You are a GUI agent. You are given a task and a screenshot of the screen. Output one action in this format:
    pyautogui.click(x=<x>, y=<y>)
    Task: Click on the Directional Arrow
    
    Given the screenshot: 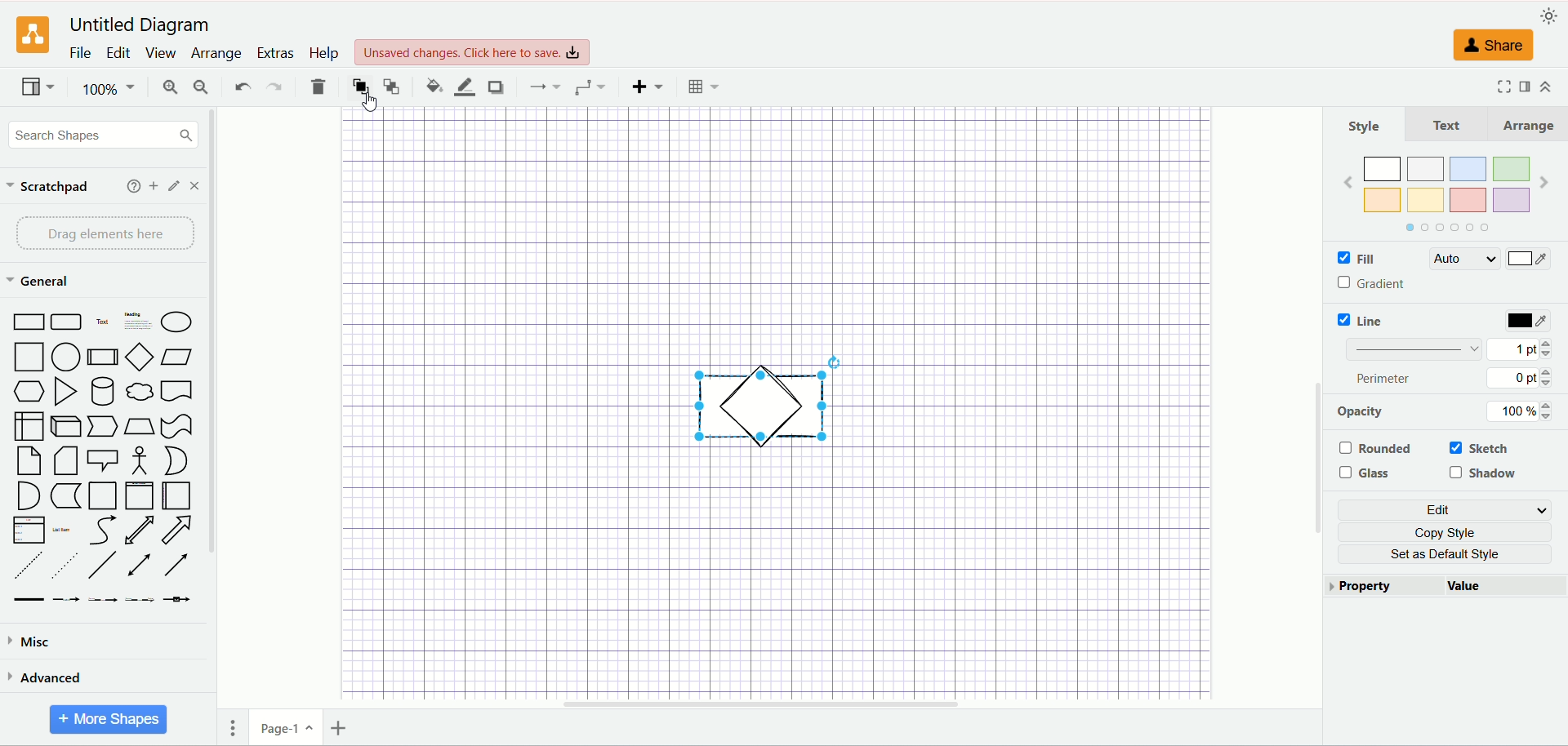 What is the action you would take?
    pyautogui.click(x=180, y=565)
    